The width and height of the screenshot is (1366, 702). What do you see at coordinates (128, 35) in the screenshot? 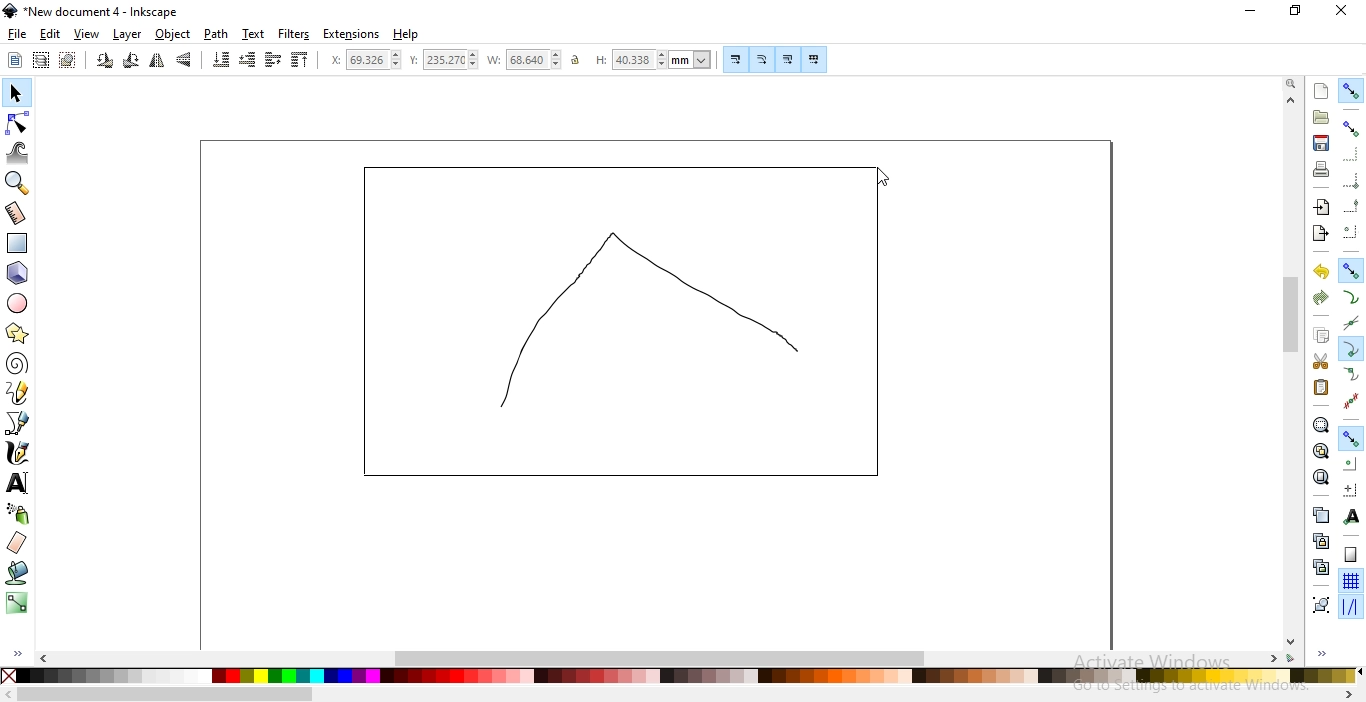
I see `layer` at bounding box center [128, 35].